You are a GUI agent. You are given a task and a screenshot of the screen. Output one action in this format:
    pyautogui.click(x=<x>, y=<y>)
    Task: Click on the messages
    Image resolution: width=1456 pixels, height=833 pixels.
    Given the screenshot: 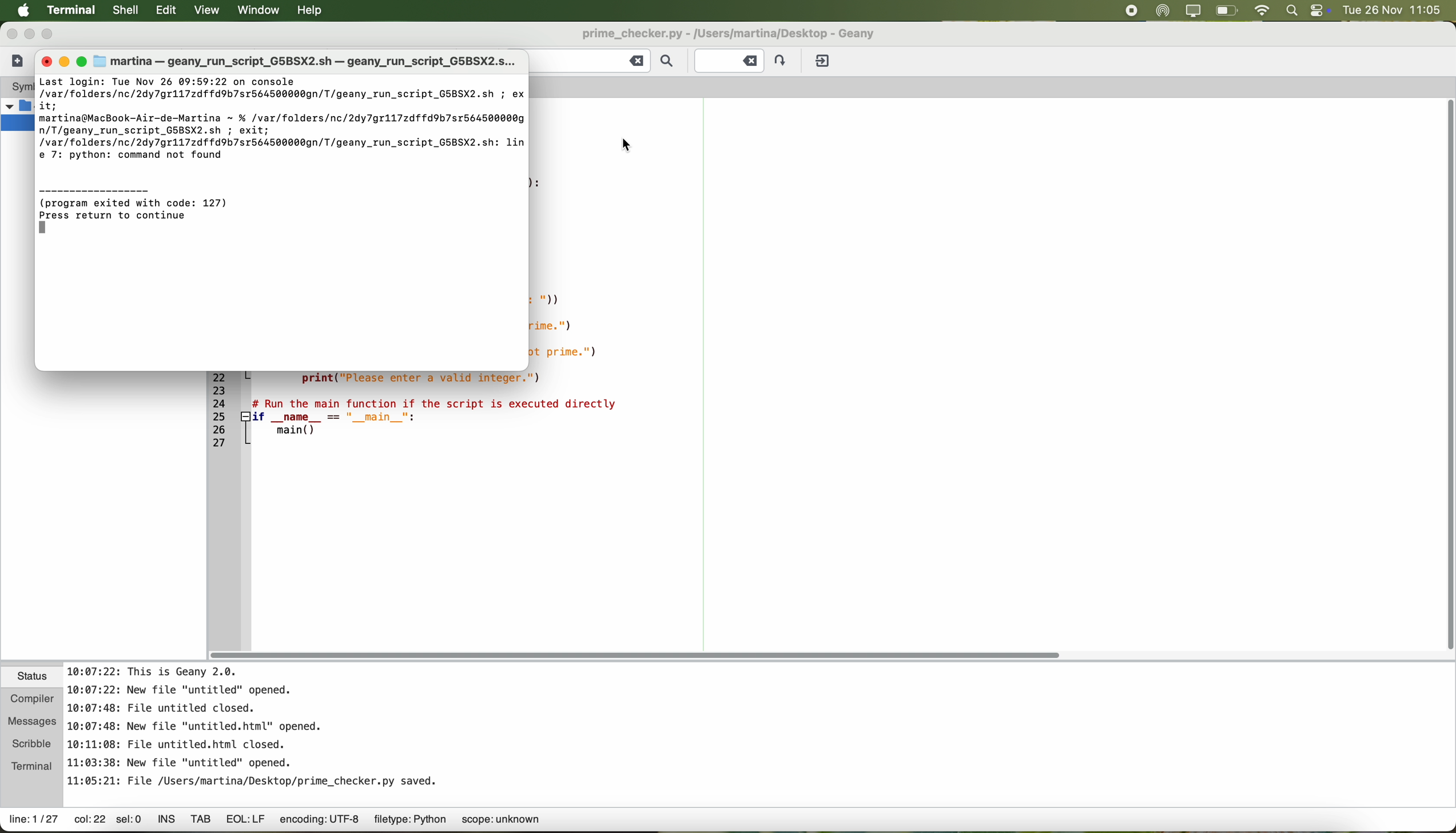 What is the action you would take?
    pyautogui.click(x=33, y=718)
    